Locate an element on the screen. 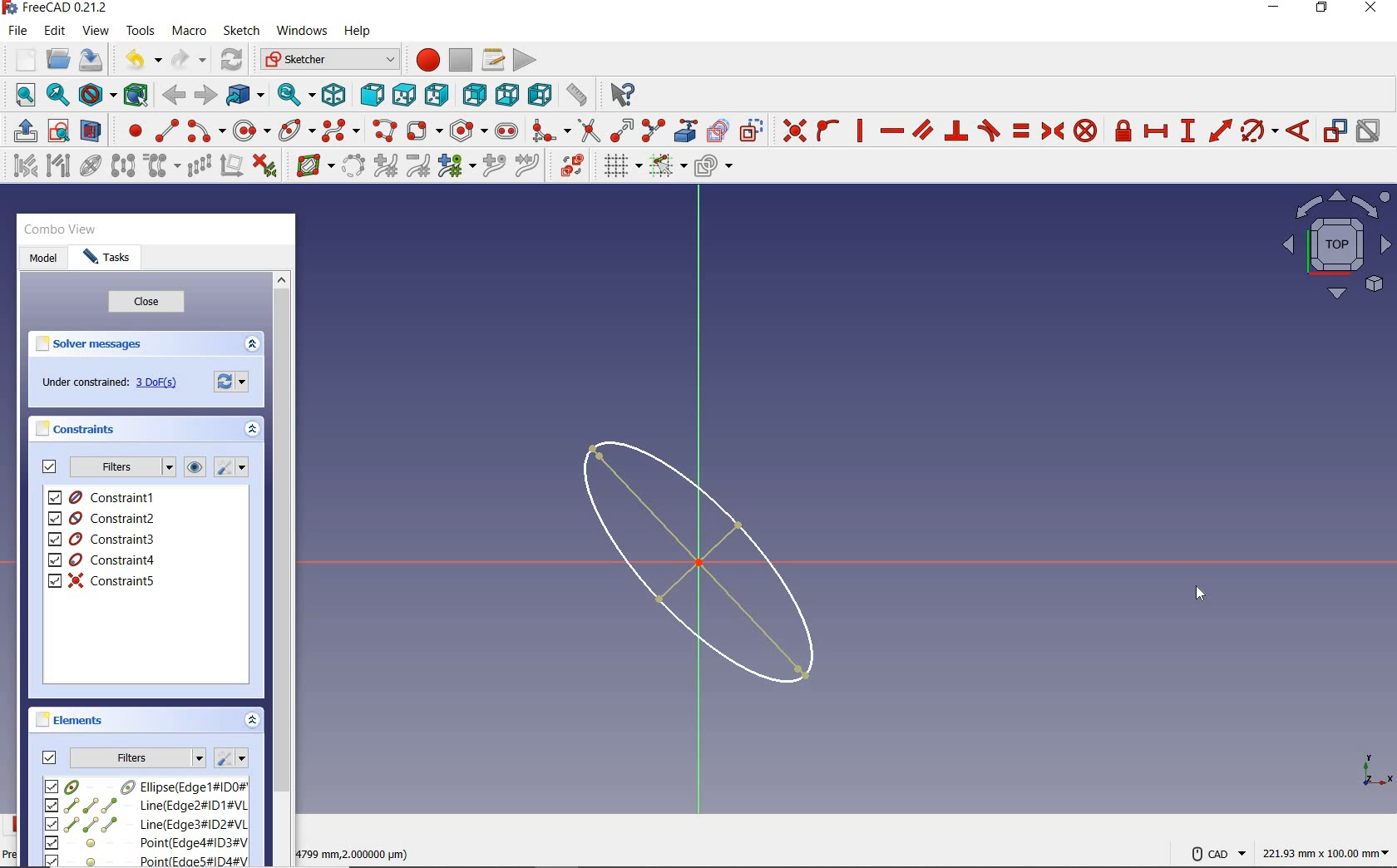  trim edge is located at coordinates (588, 130).